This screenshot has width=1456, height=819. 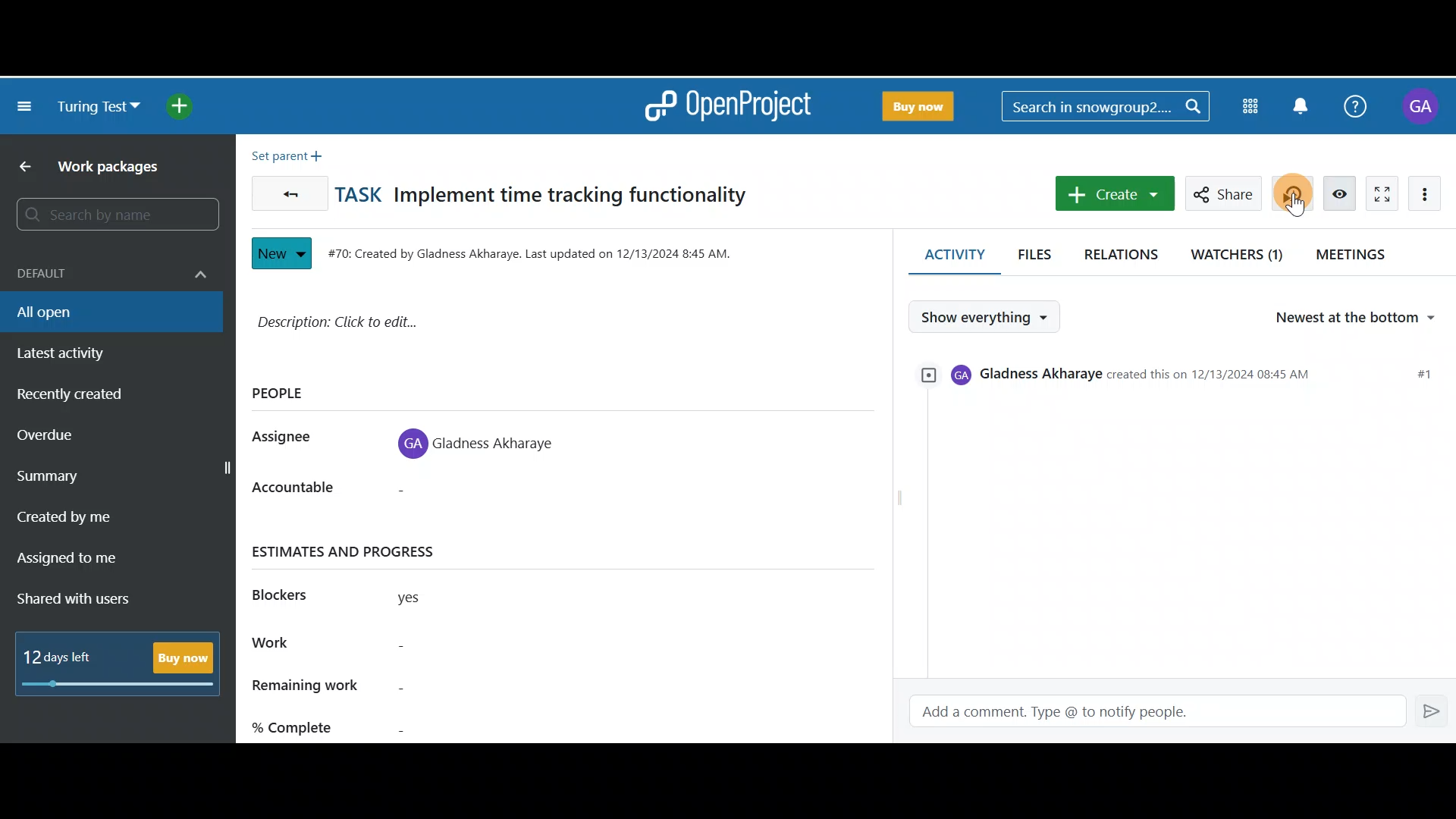 I want to click on Create, so click(x=1111, y=193).